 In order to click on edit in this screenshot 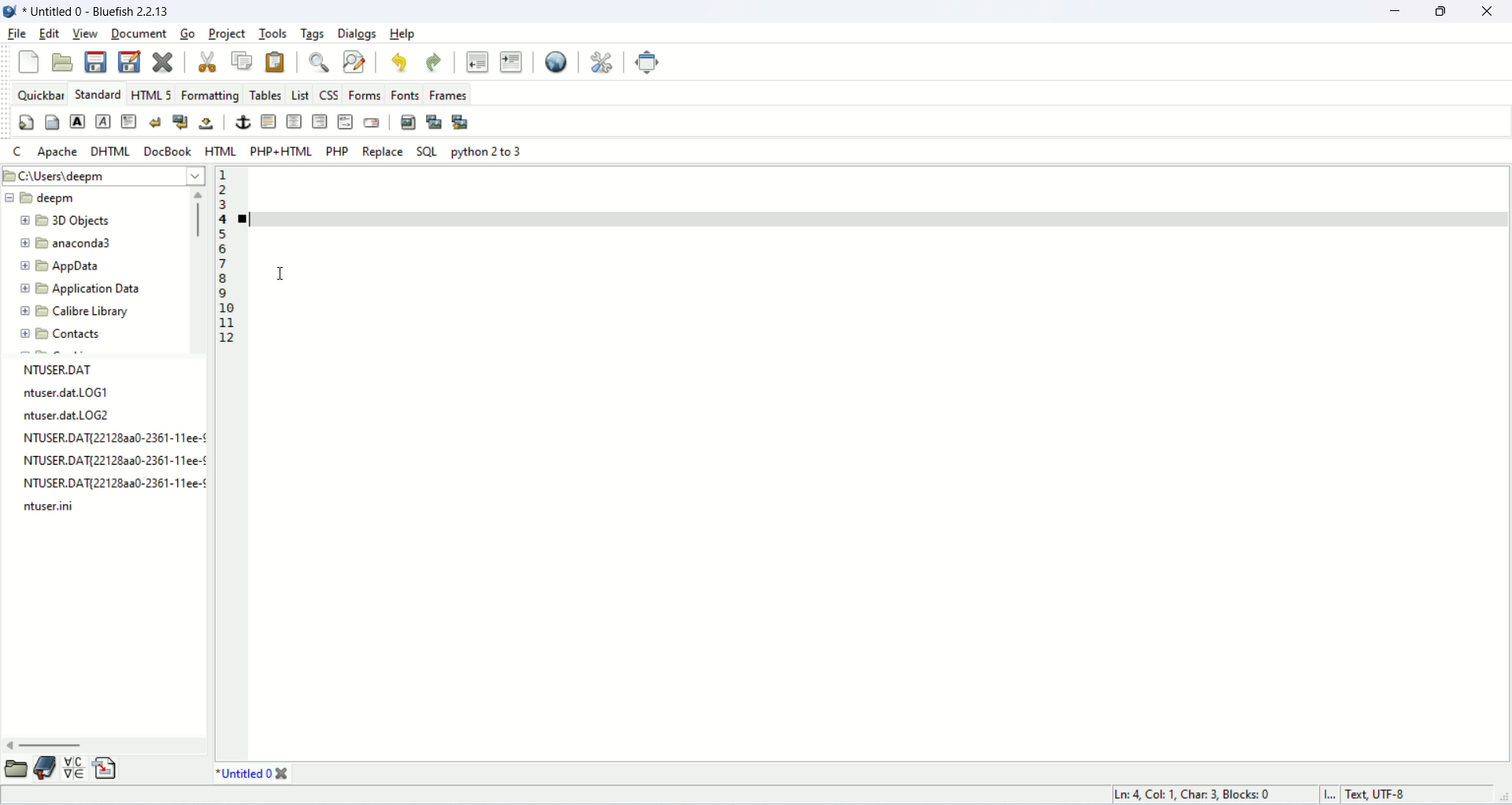, I will do `click(48, 32)`.